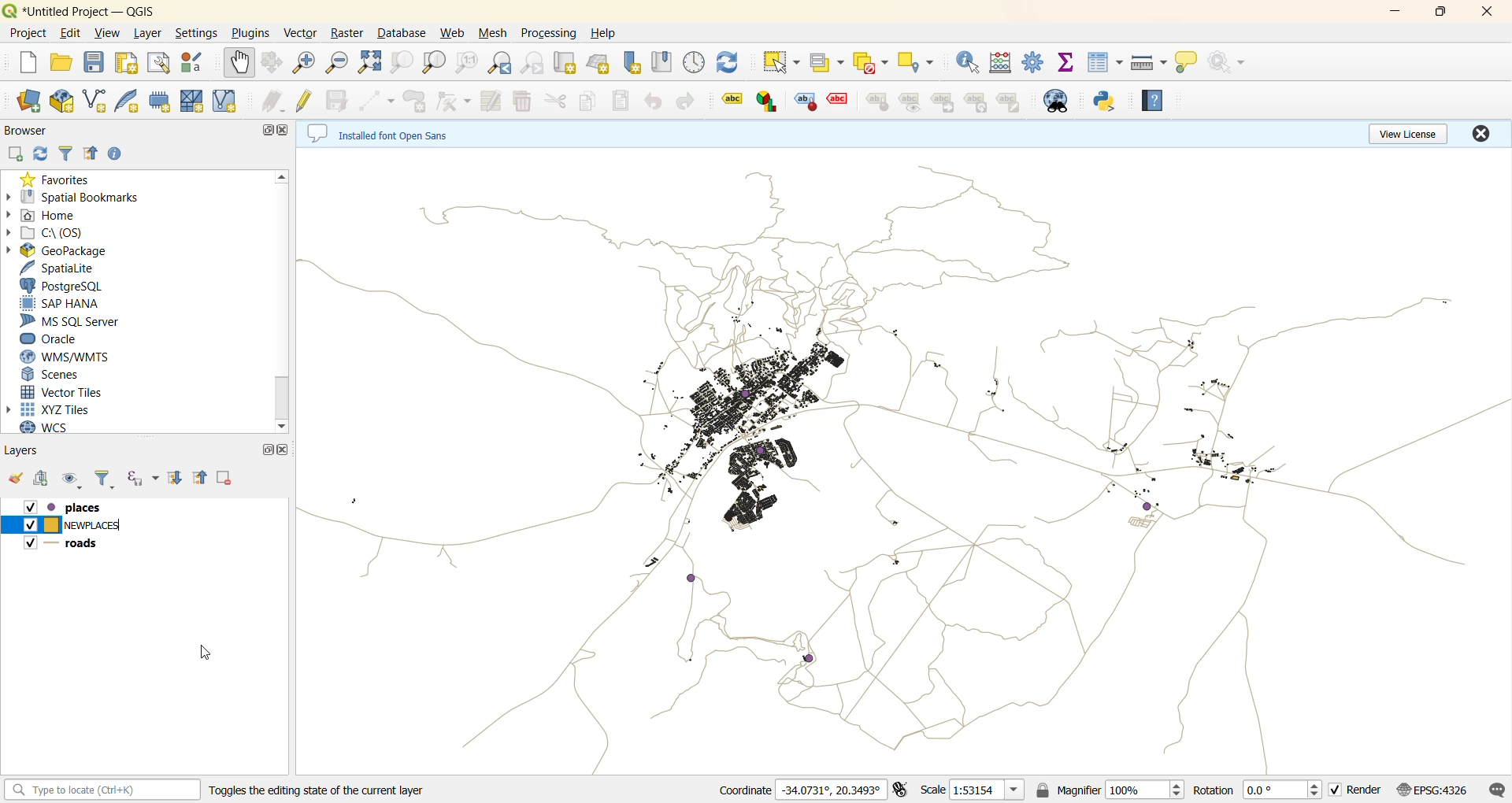 This screenshot has width=1512, height=803. Describe the element at coordinates (61, 268) in the screenshot. I see `spatialite` at that location.